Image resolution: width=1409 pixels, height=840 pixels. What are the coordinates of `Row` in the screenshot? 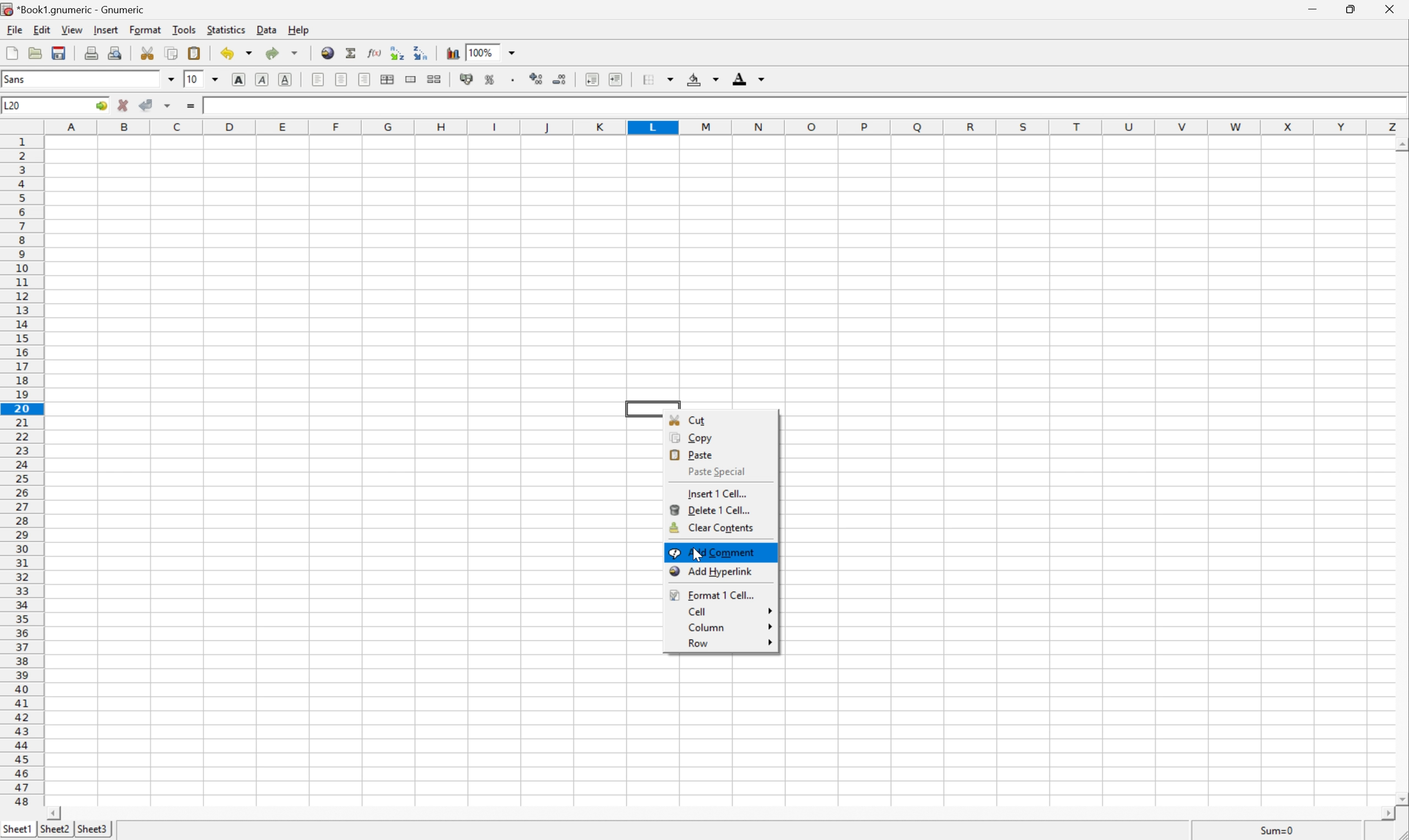 It's located at (697, 644).